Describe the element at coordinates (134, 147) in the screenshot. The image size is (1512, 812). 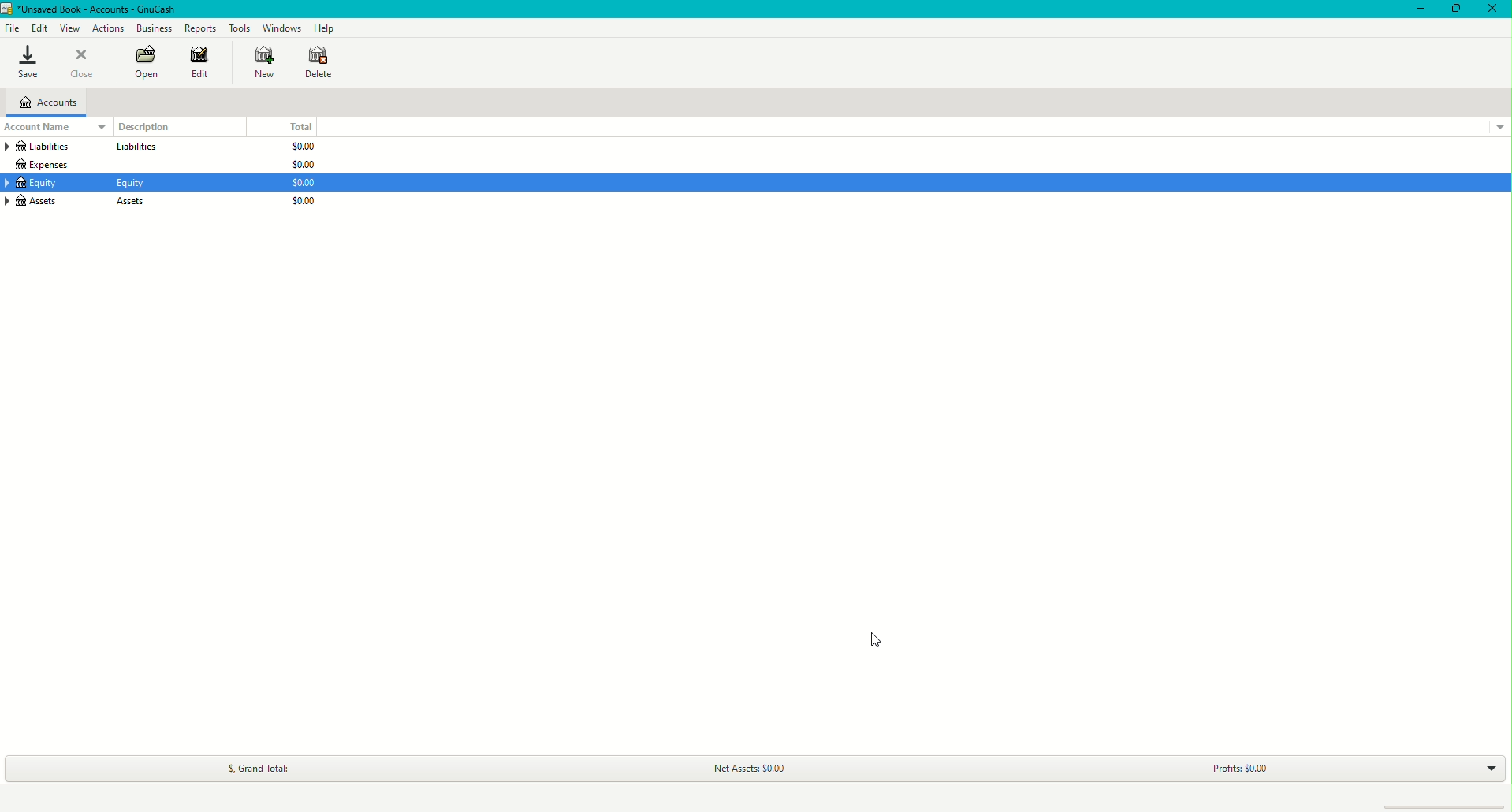
I see `Liabilities` at that location.